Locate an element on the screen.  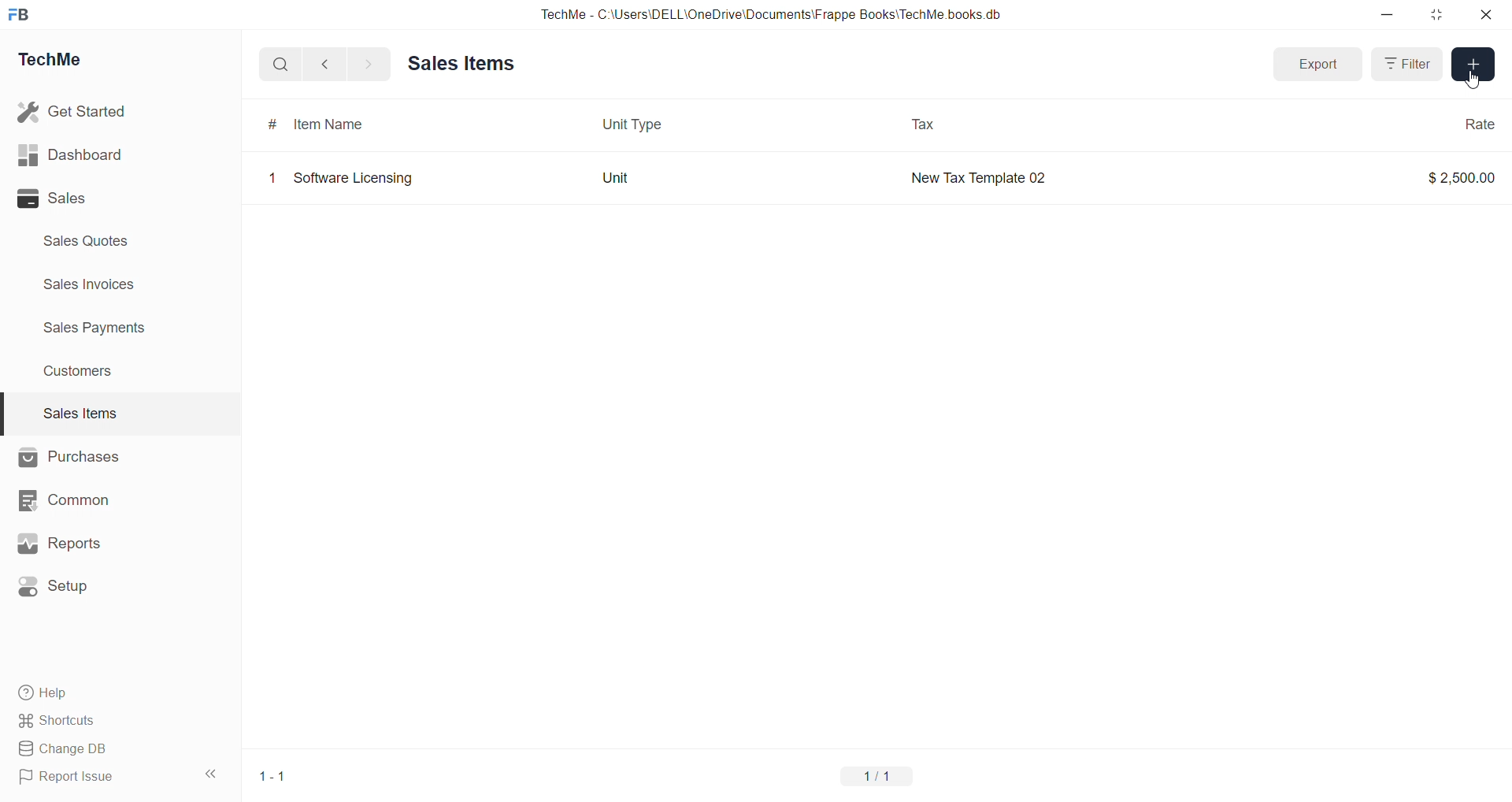
minimize is located at coordinates (1387, 13).